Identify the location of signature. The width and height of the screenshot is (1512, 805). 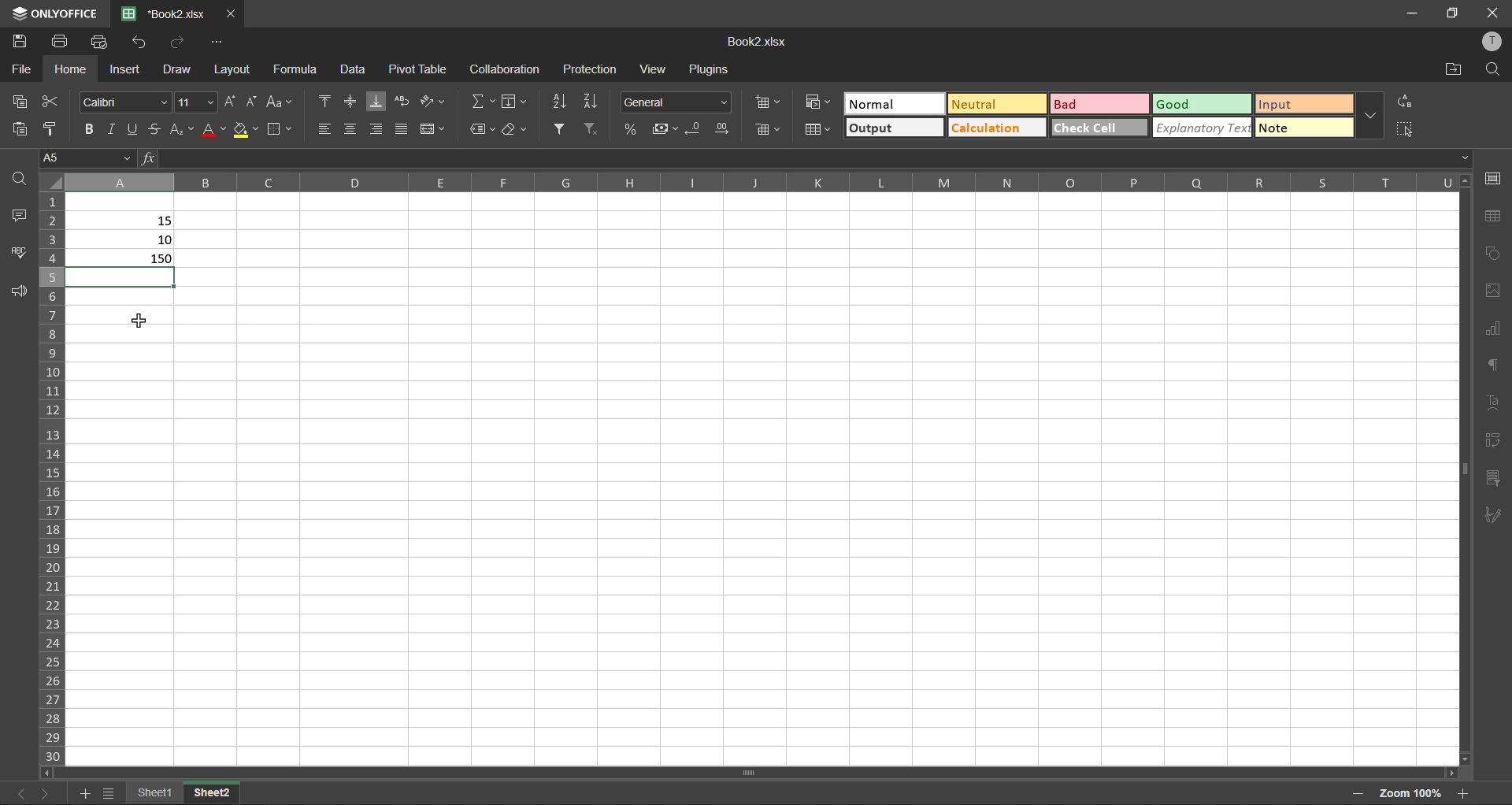
(1494, 516).